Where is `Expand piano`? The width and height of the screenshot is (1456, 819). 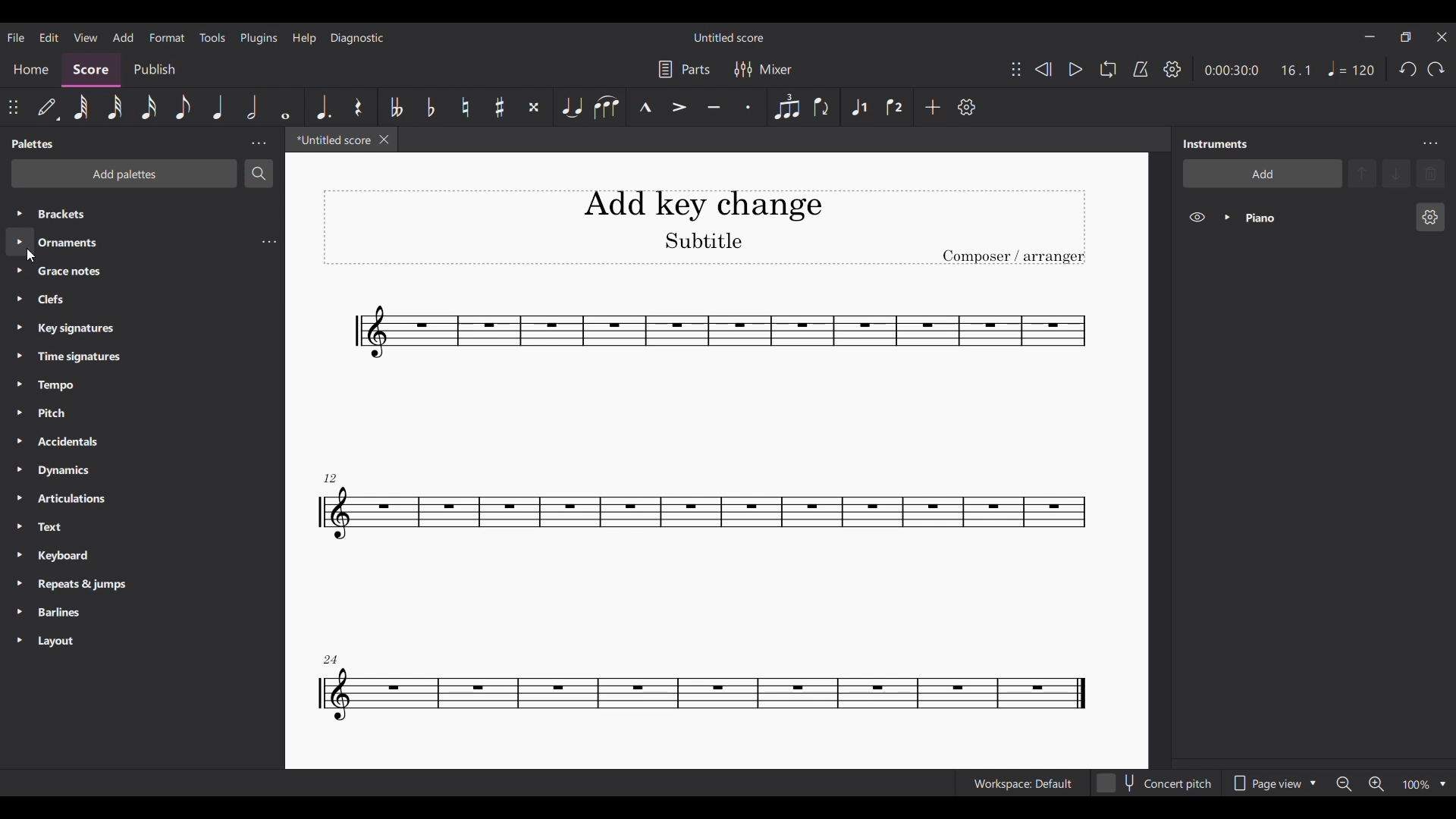 Expand piano is located at coordinates (1227, 217).